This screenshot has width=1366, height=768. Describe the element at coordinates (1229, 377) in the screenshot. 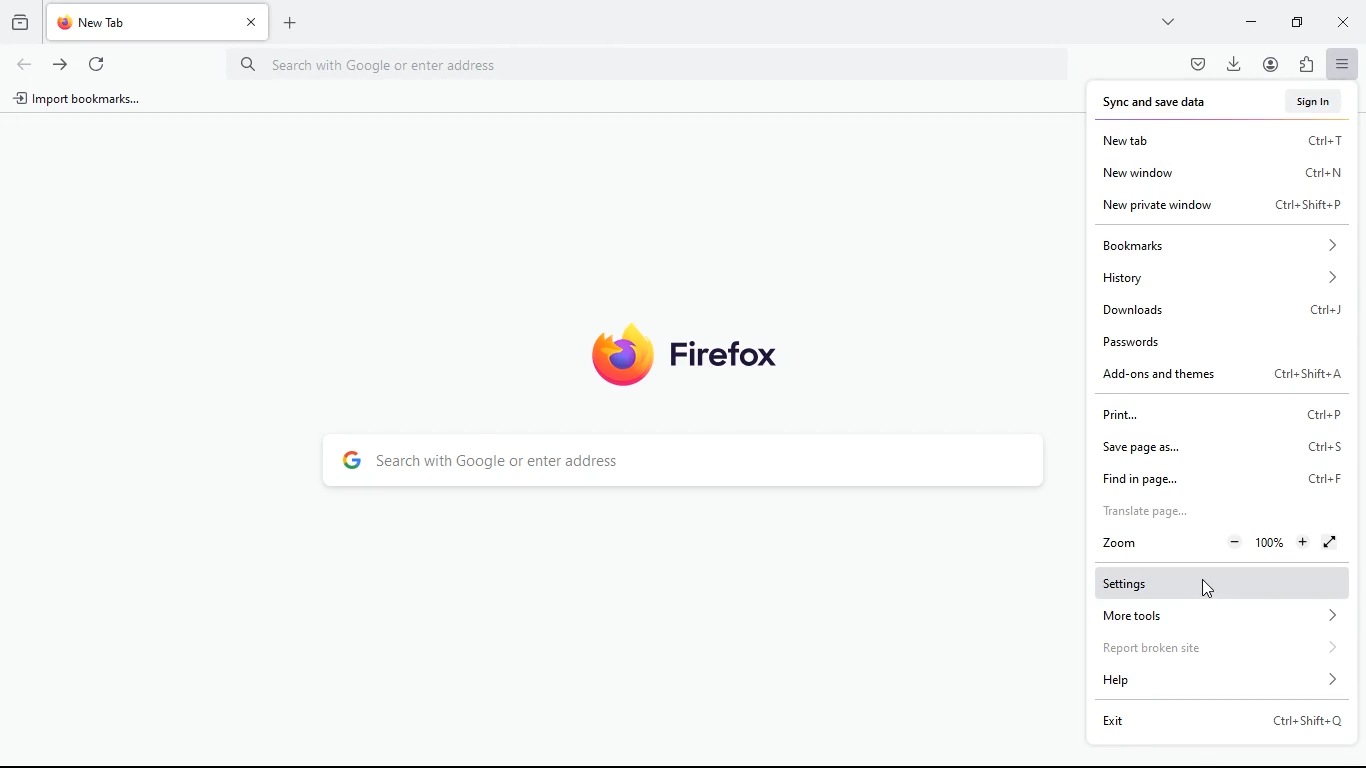

I see `add-ons and themes` at that location.